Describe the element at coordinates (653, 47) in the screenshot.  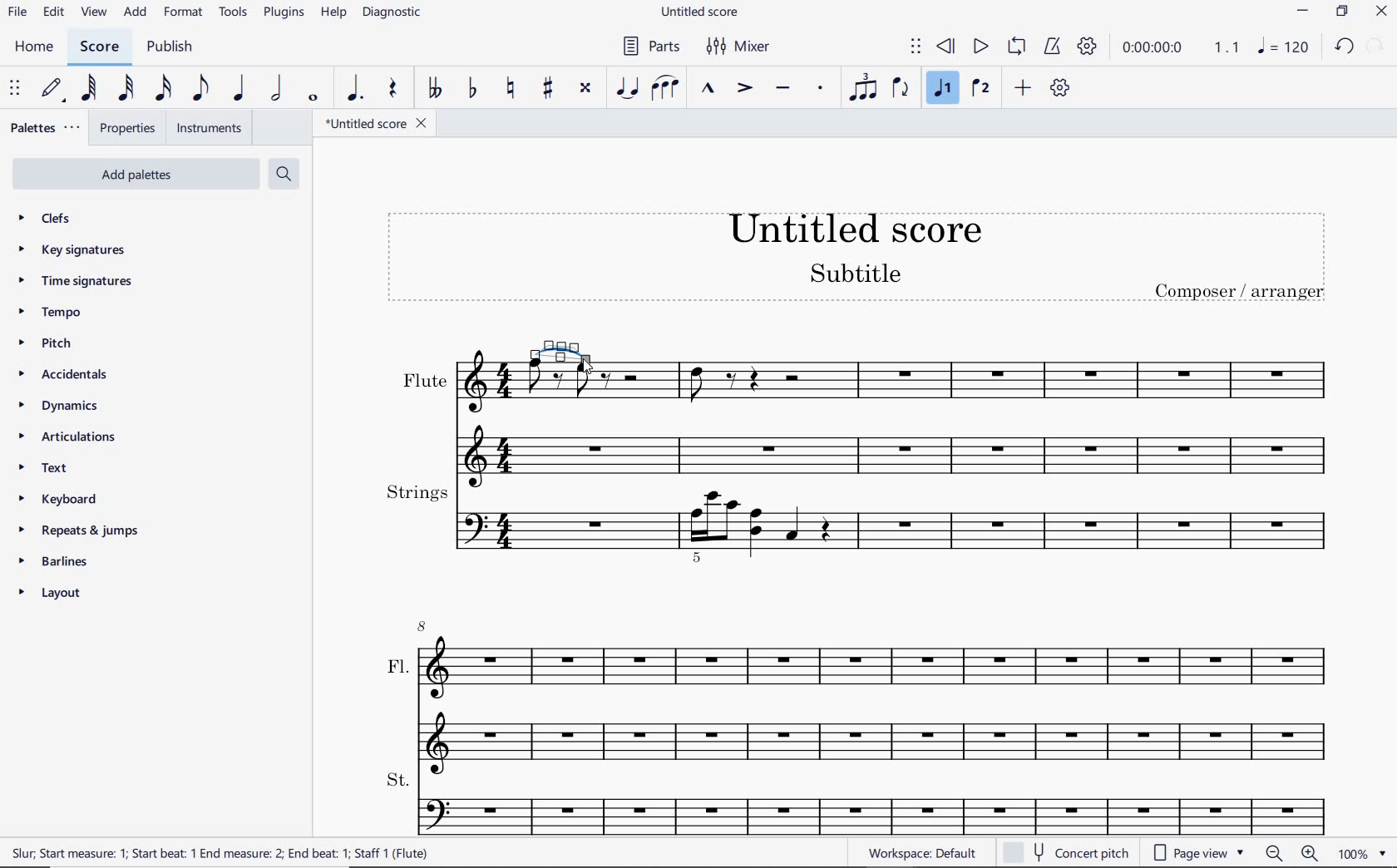
I see `parts` at that location.